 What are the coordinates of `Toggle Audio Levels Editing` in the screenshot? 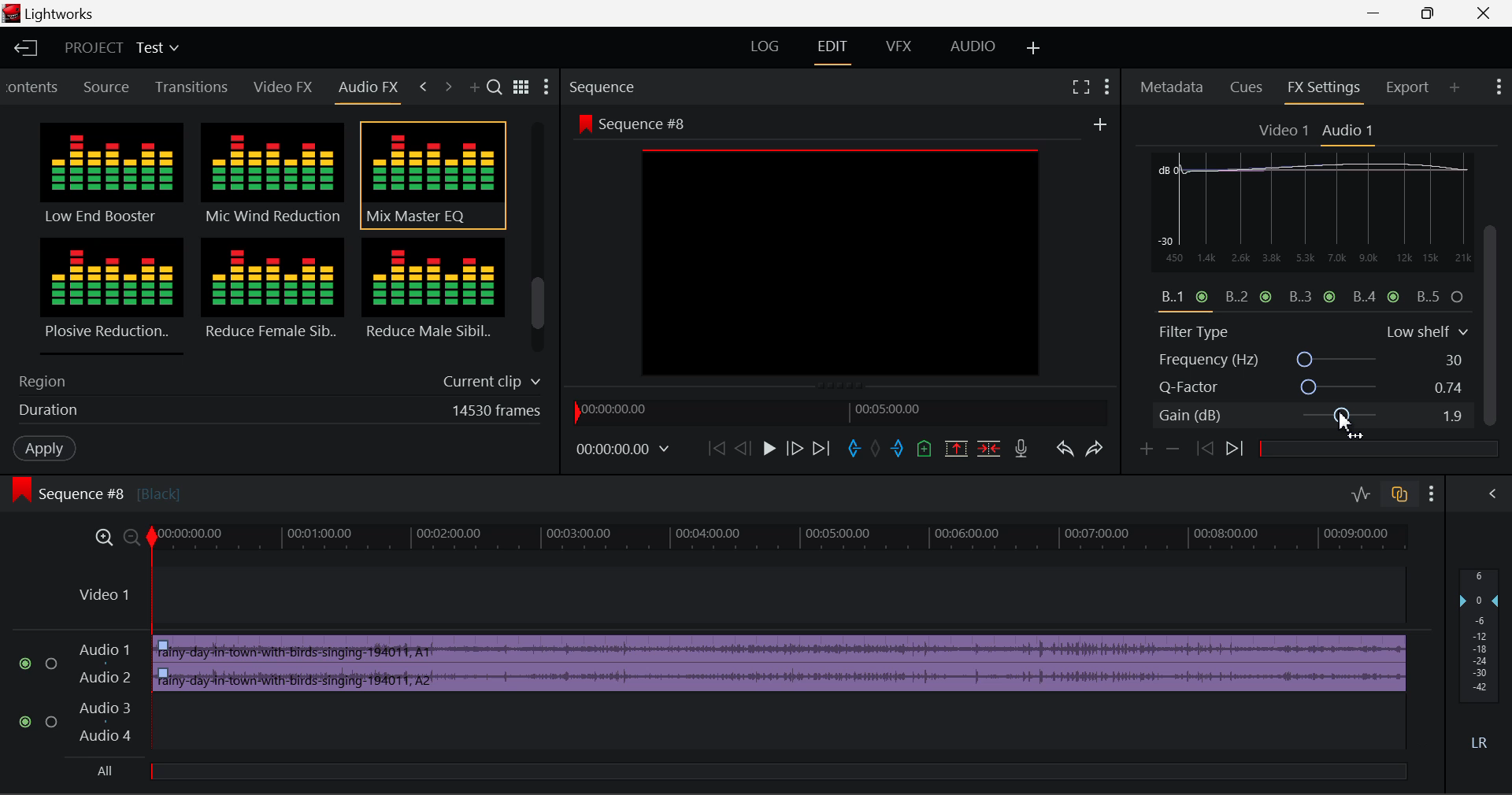 It's located at (1362, 495).